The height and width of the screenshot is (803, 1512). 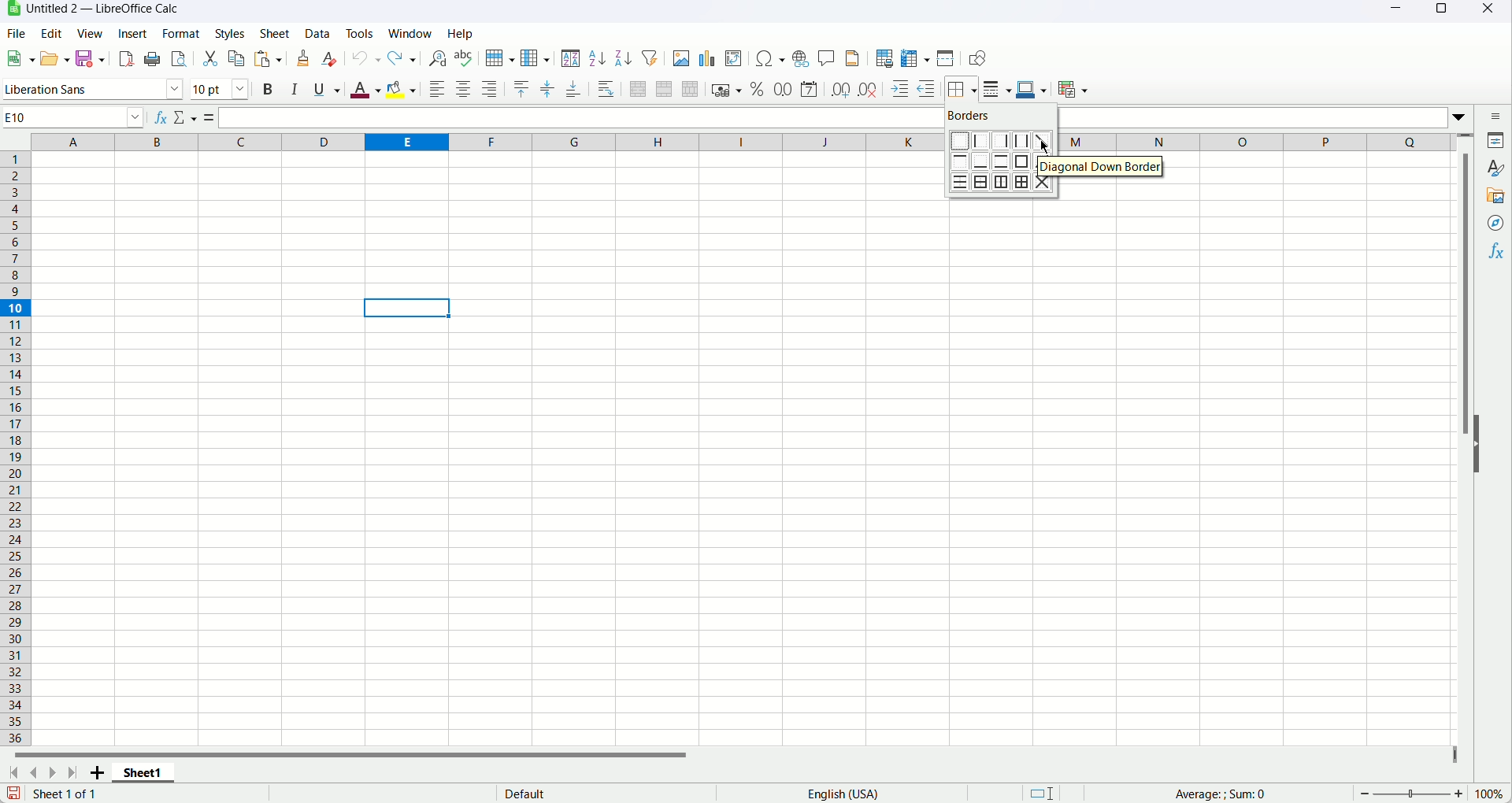 What do you see at coordinates (548, 87) in the screenshot?
I see `center vertically` at bounding box center [548, 87].